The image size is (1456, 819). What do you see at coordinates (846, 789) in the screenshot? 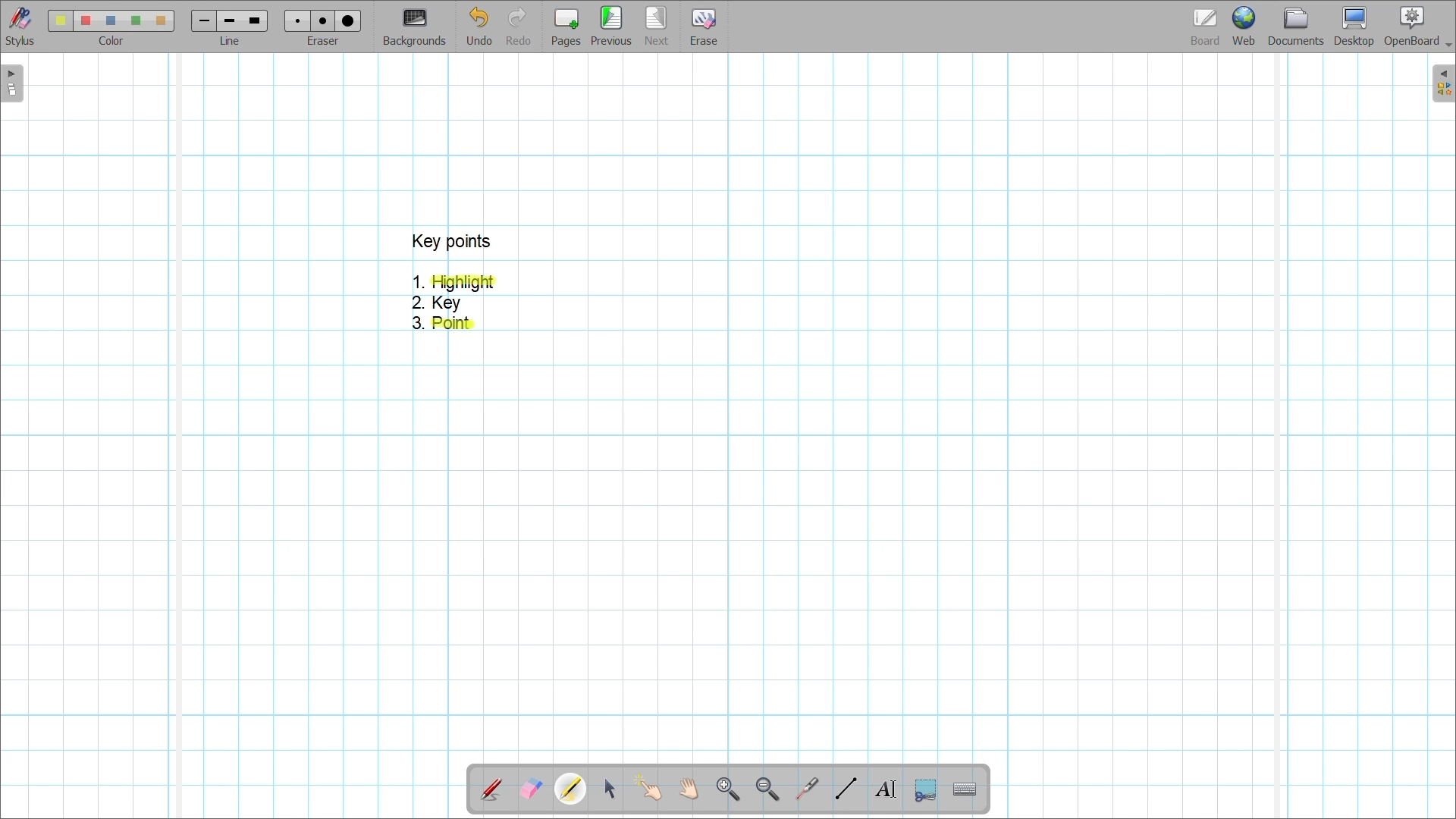
I see `Draw lines` at bounding box center [846, 789].